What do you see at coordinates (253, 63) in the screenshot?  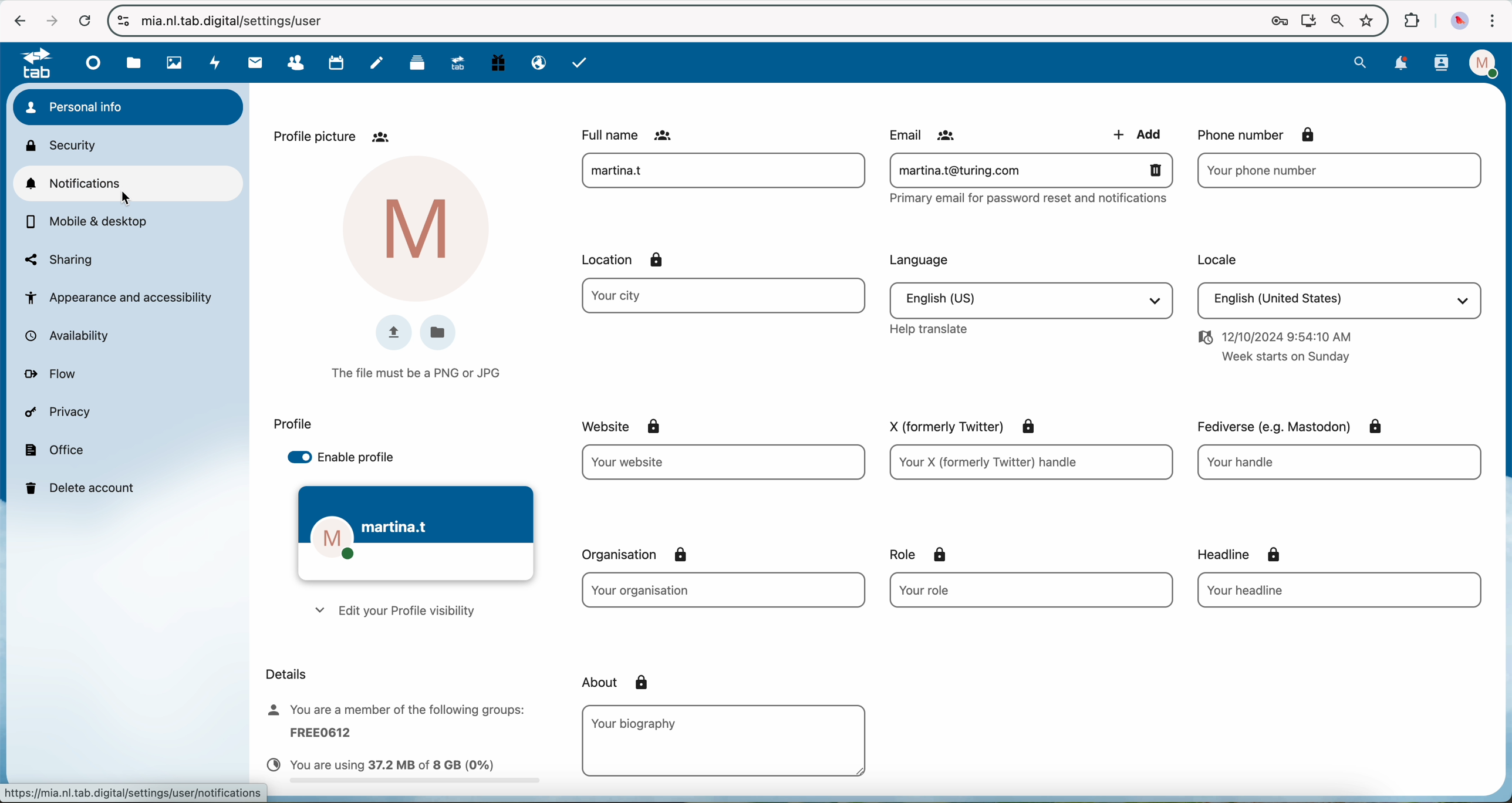 I see `mail` at bounding box center [253, 63].